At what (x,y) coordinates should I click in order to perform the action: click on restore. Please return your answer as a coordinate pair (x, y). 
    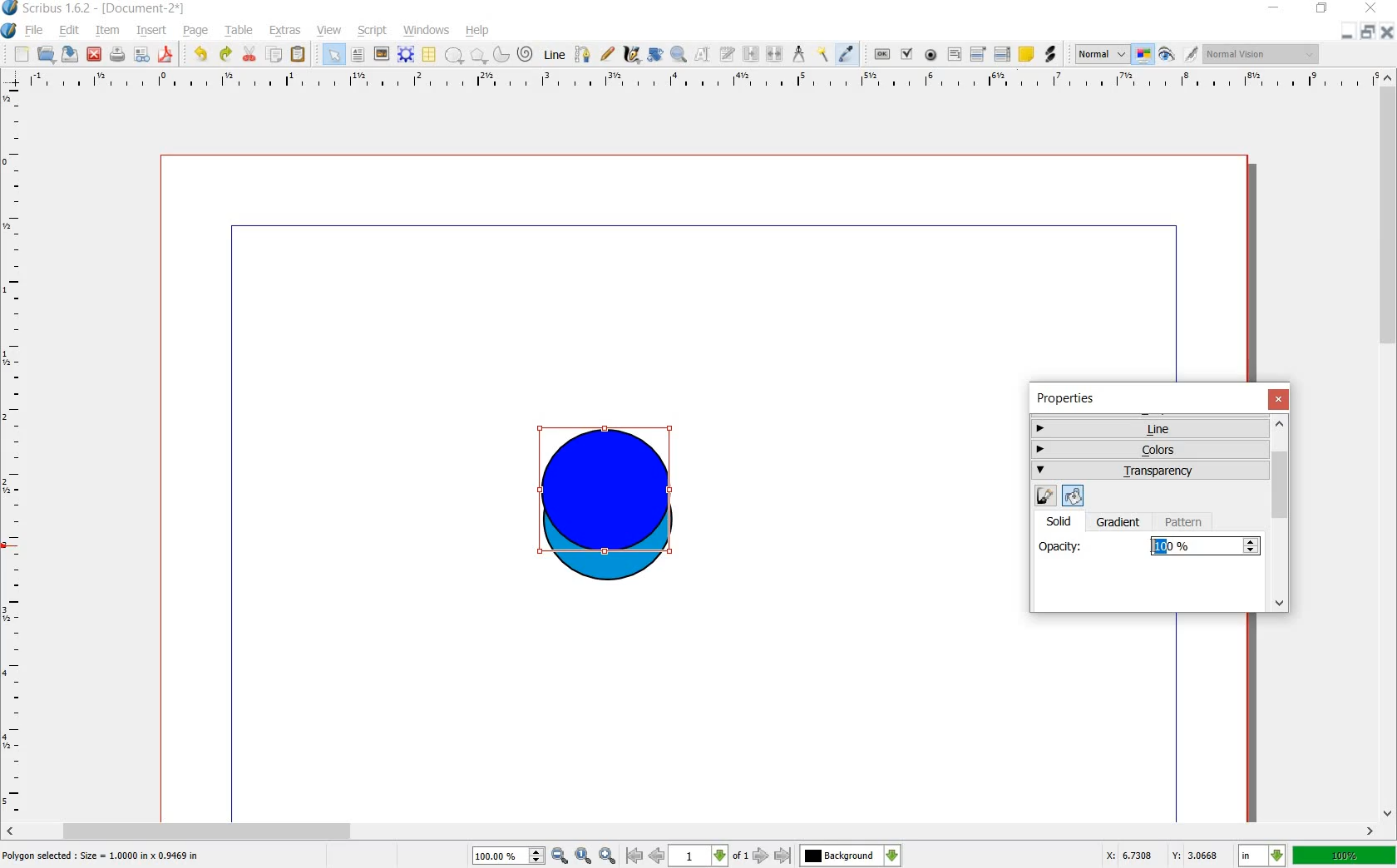
    Looking at the image, I should click on (1368, 33).